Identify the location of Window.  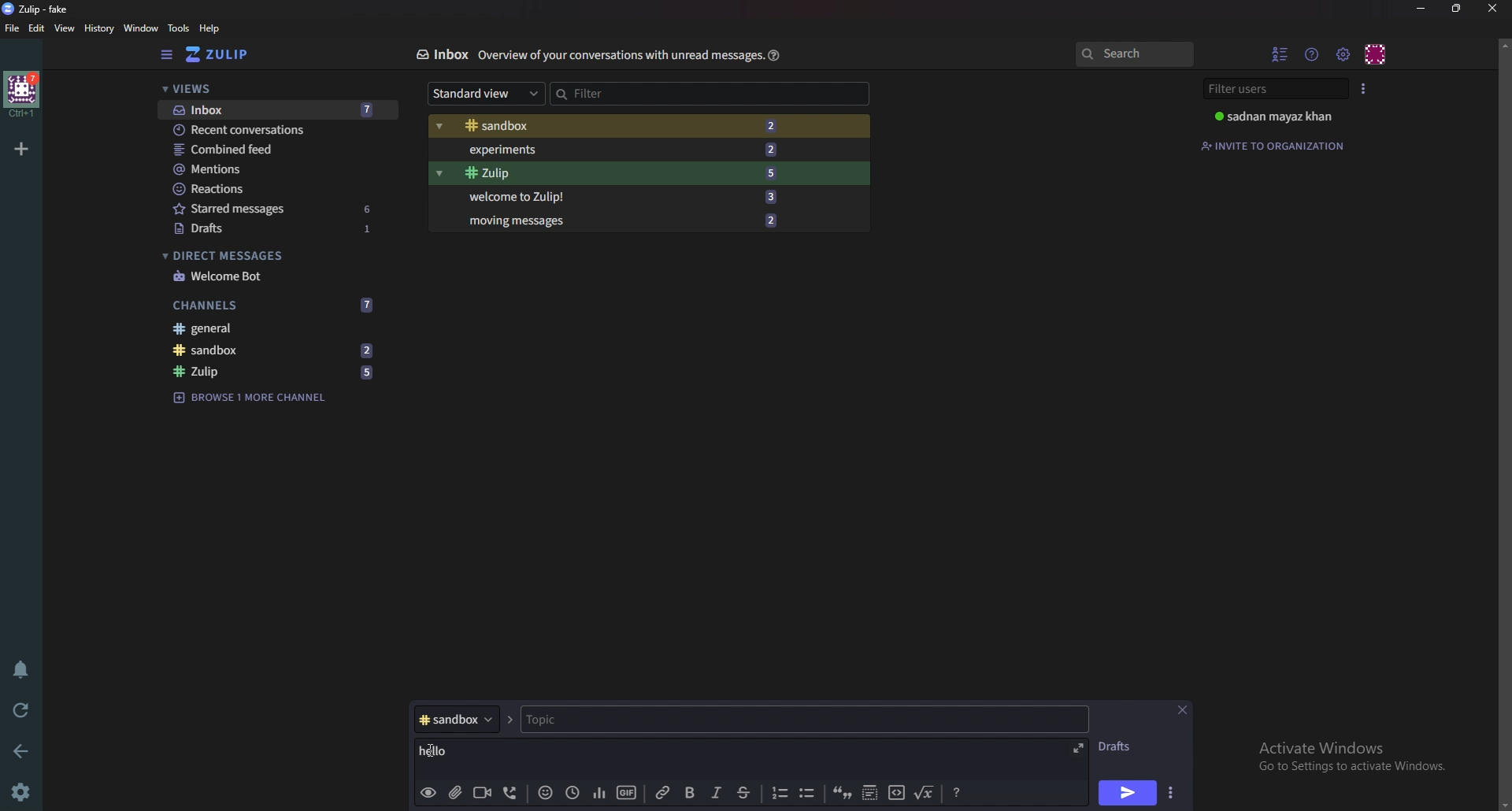
(143, 28).